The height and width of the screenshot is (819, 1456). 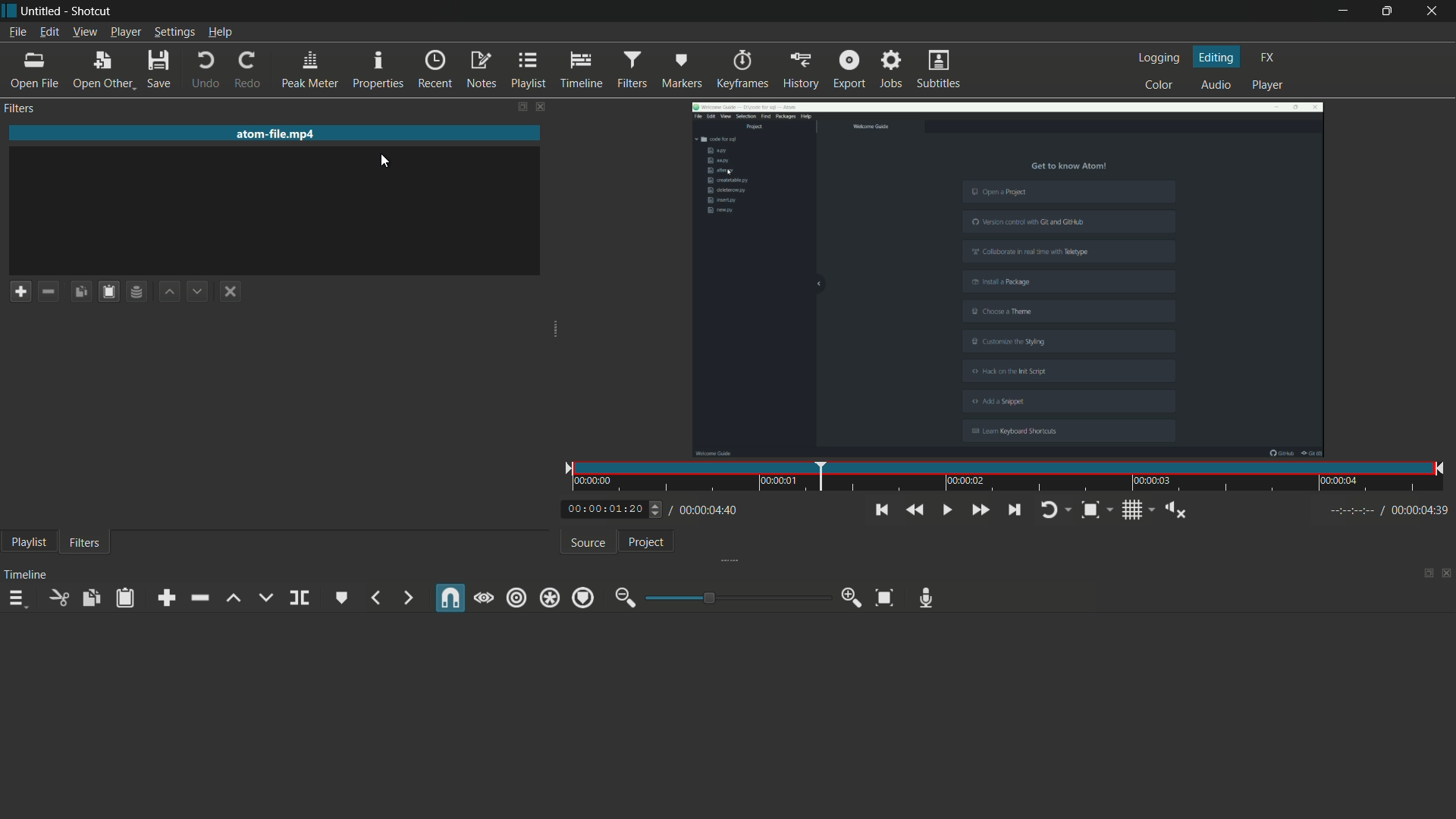 I want to click on toggle player looping, so click(x=1055, y=510).